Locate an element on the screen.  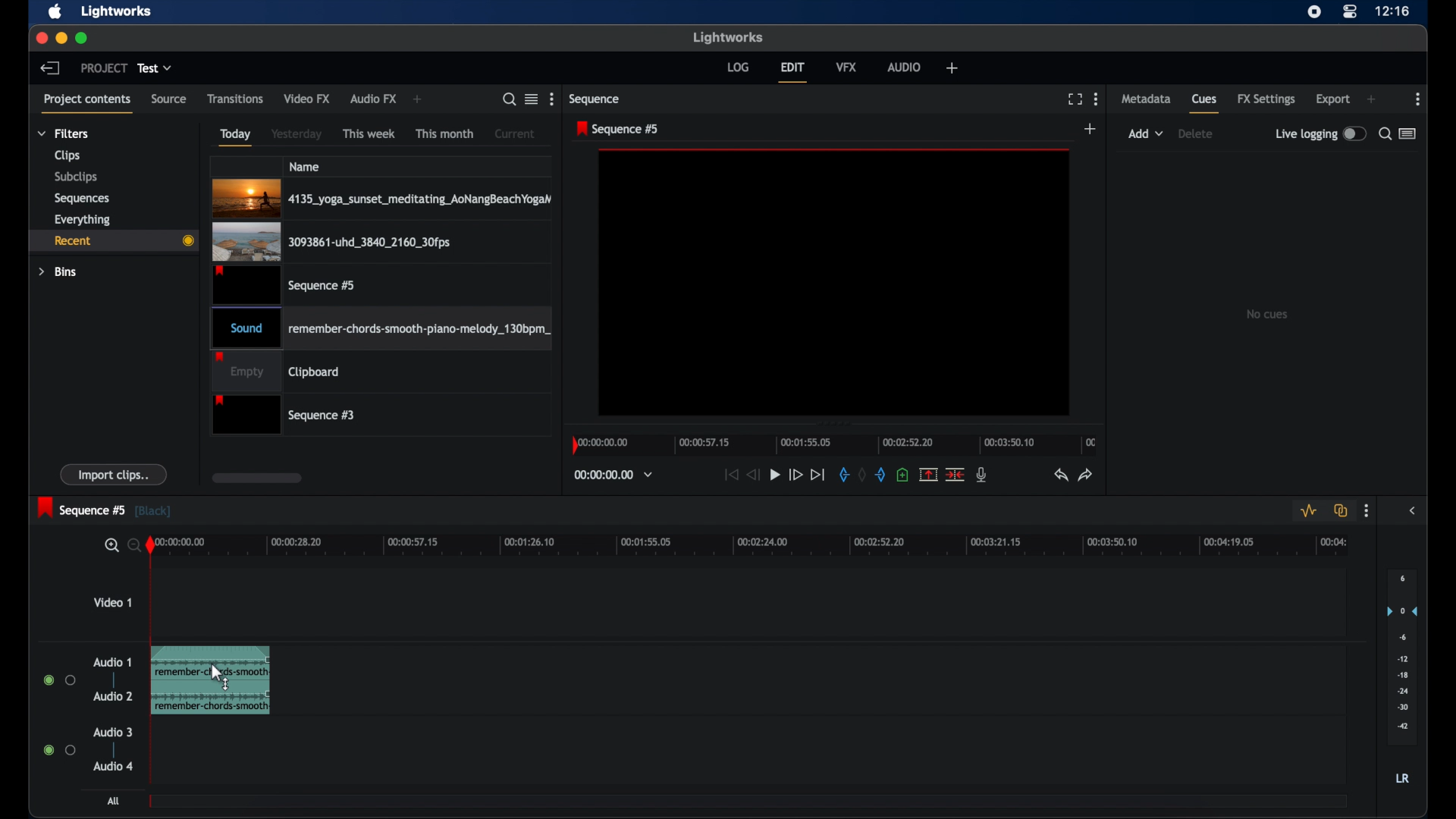
playhead is located at coordinates (150, 545).